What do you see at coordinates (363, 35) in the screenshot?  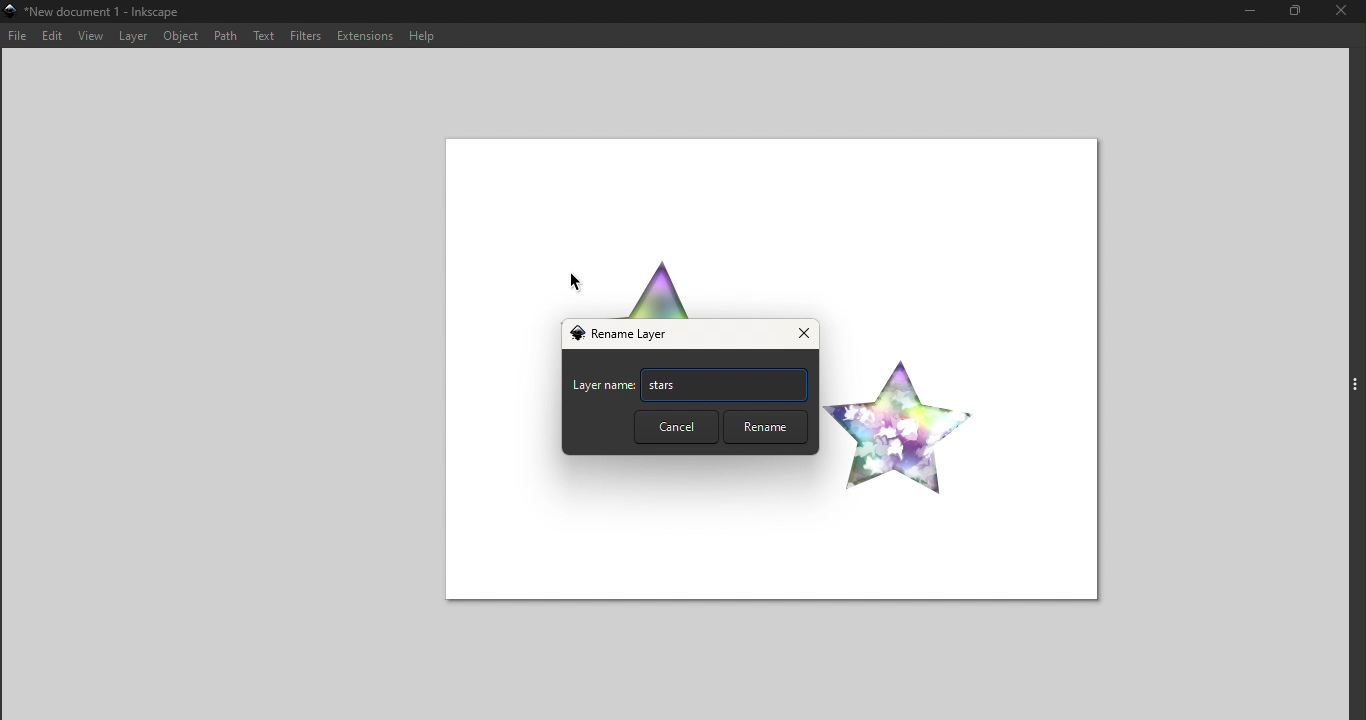 I see `extensions` at bounding box center [363, 35].